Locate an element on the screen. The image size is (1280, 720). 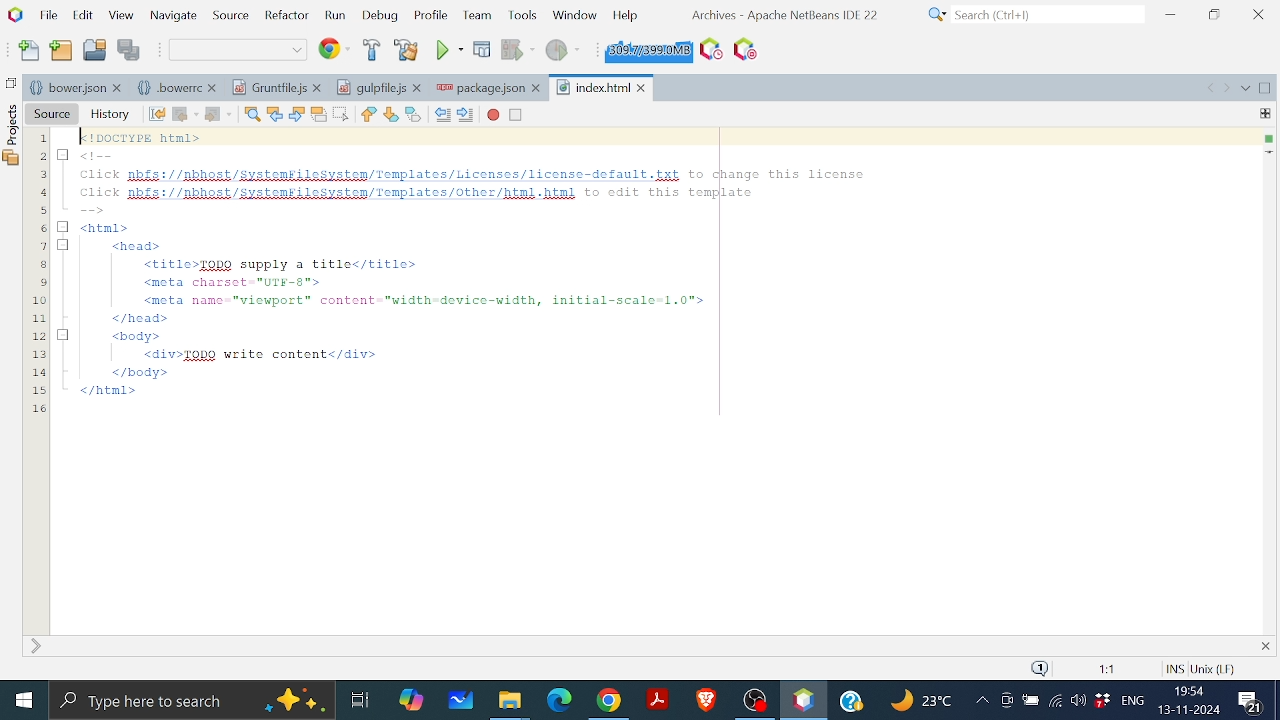
Find previous occurence is located at coordinates (276, 114).